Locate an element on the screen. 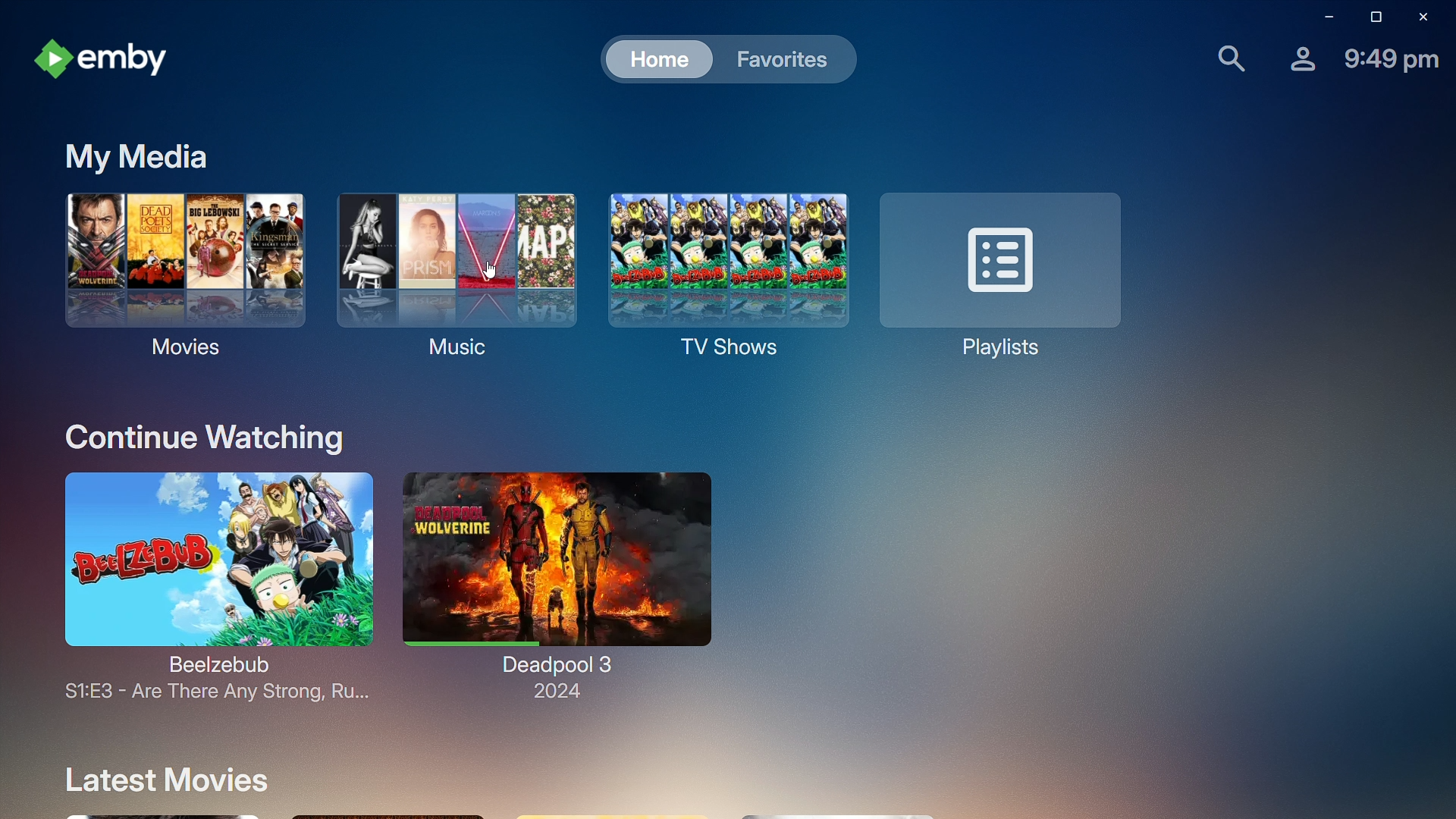 Image resolution: width=1456 pixels, height=819 pixels. emby is located at coordinates (96, 59).